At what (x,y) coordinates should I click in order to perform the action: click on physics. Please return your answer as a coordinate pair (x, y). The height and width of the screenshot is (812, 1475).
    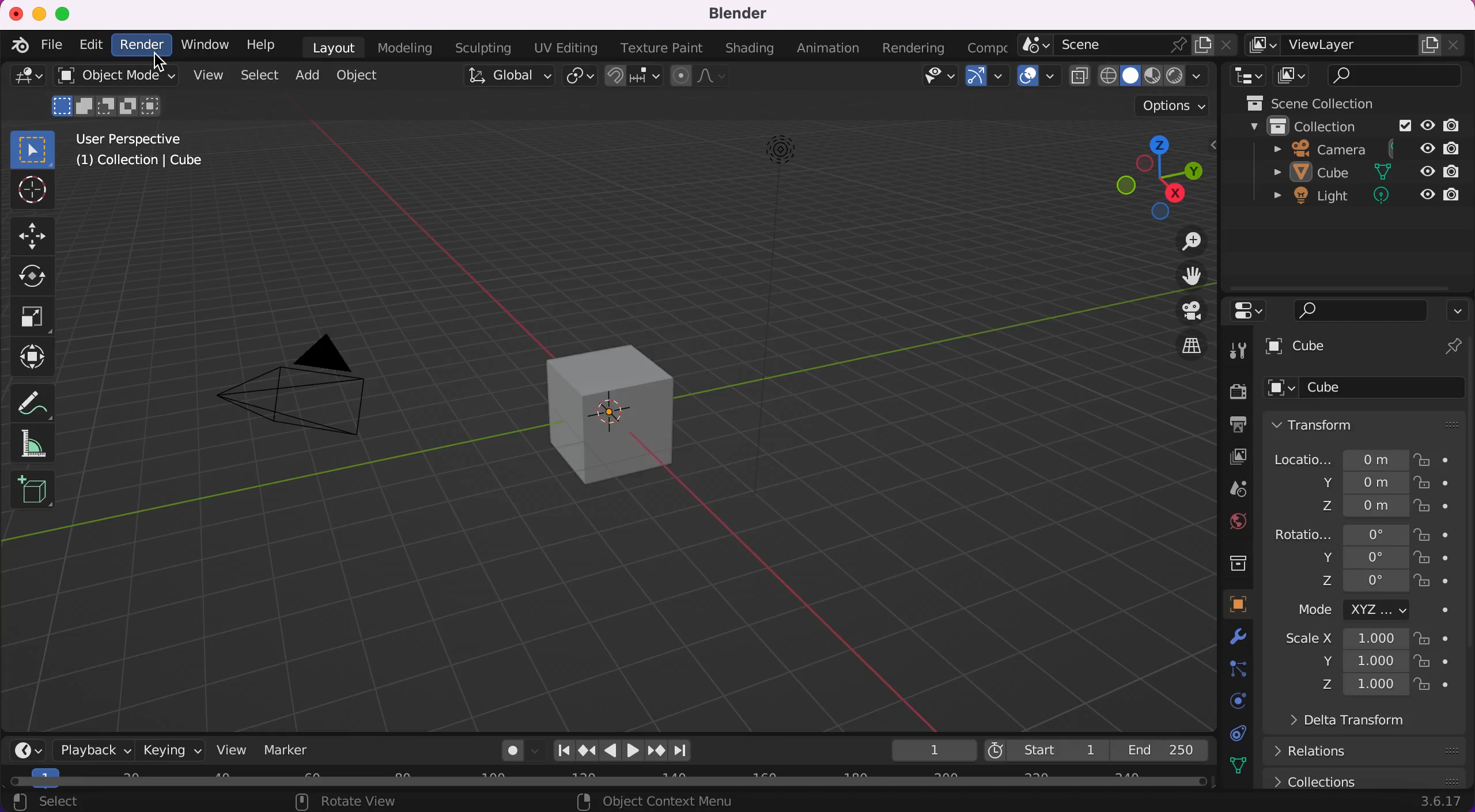
    Looking at the image, I should click on (1230, 702).